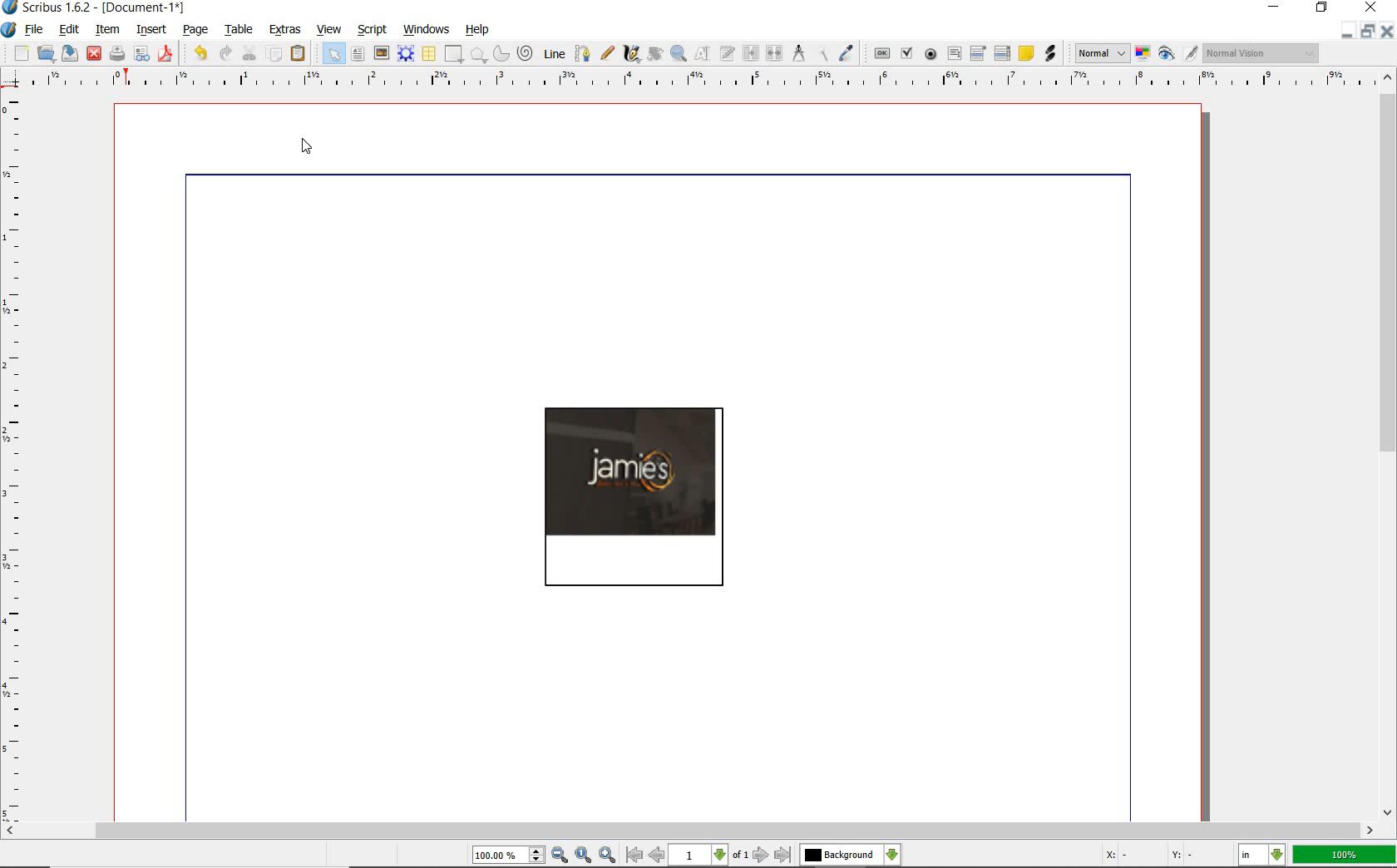  I want to click on zoom factor 100%, so click(1345, 854).